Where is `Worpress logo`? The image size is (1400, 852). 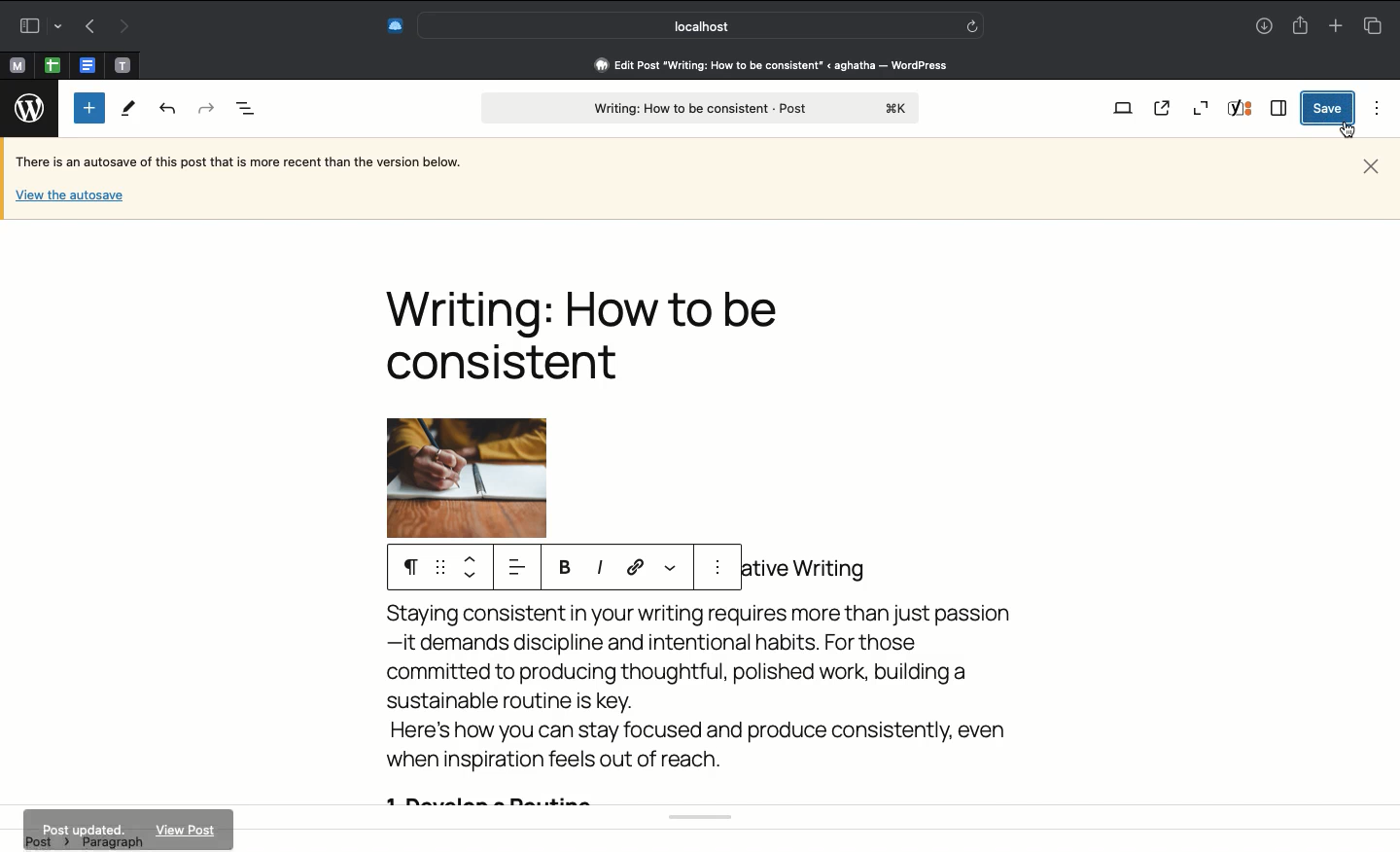 Worpress logo is located at coordinates (28, 110).